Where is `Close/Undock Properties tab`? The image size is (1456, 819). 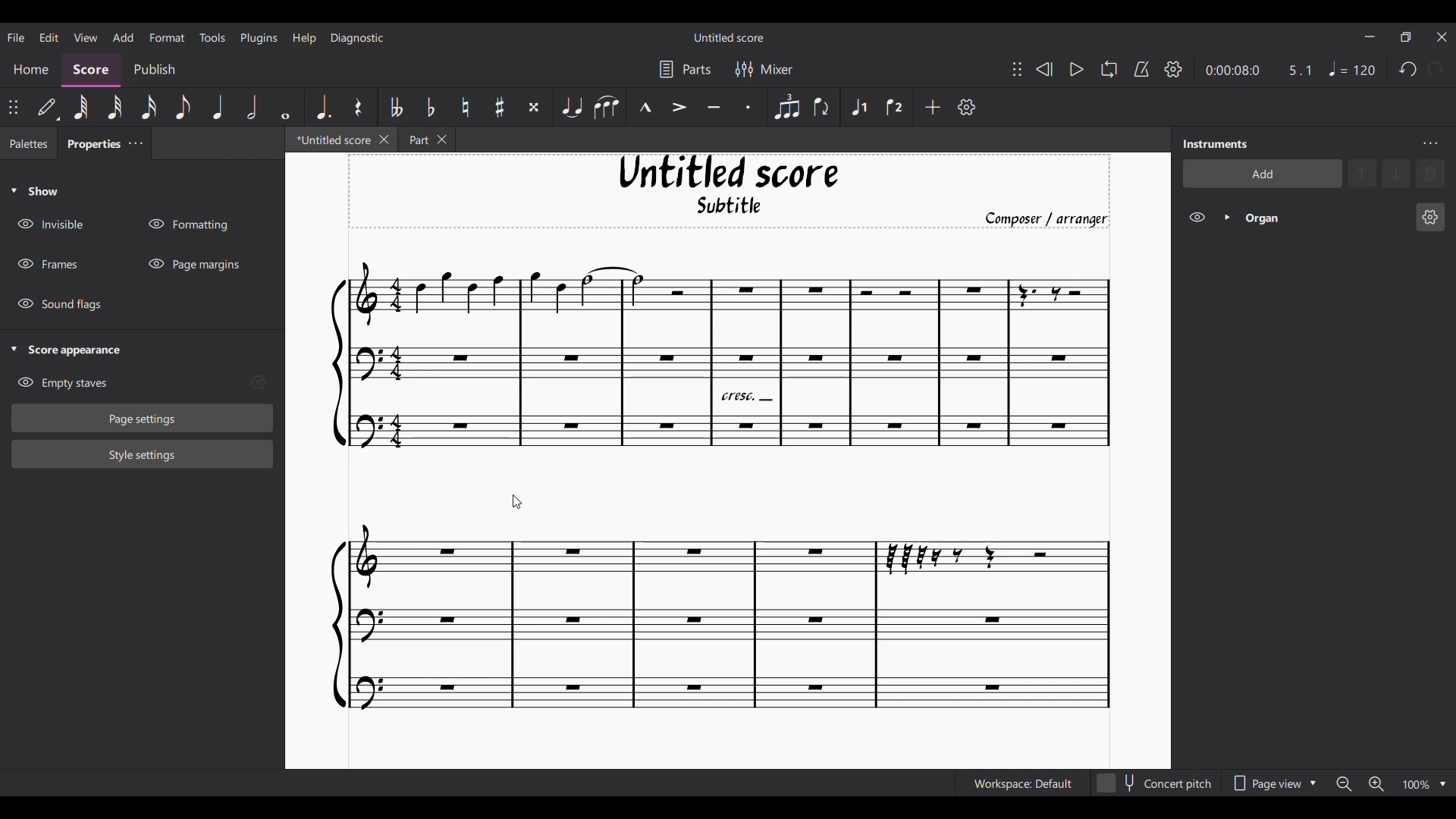 Close/Undock Properties tab is located at coordinates (135, 143).